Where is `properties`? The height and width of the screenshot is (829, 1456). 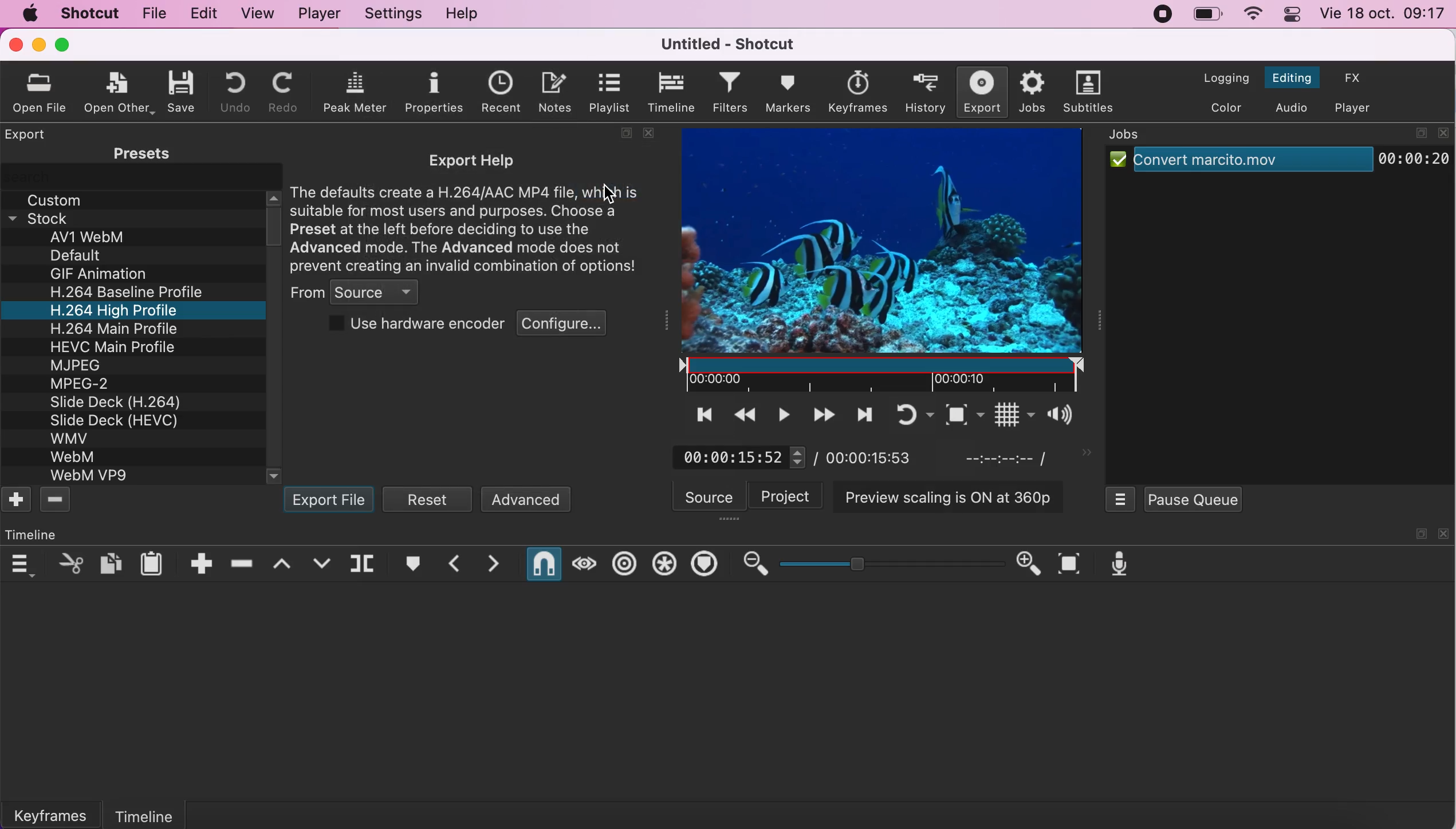
properties is located at coordinates (430, 92).